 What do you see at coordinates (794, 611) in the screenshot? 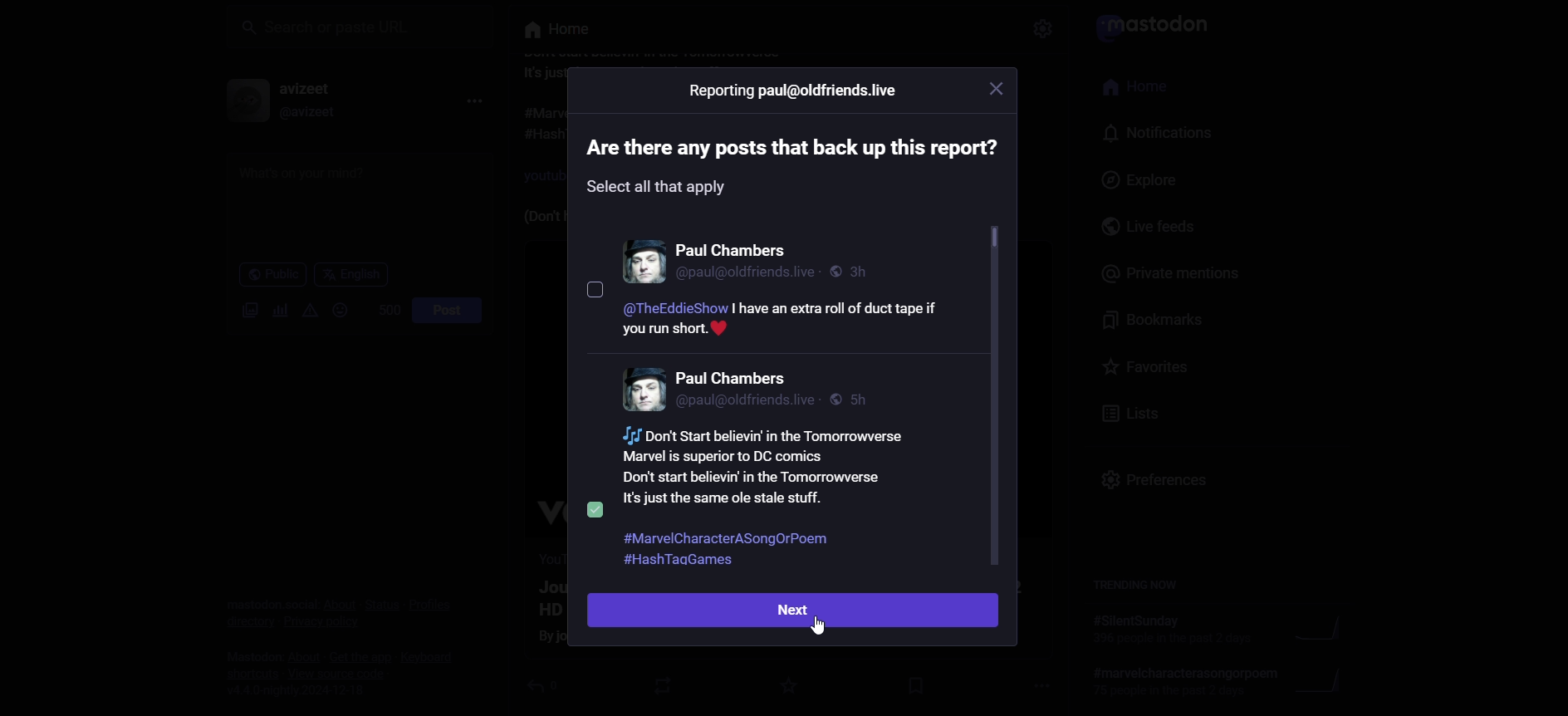
I see `next` at bounding box center [794, 611].